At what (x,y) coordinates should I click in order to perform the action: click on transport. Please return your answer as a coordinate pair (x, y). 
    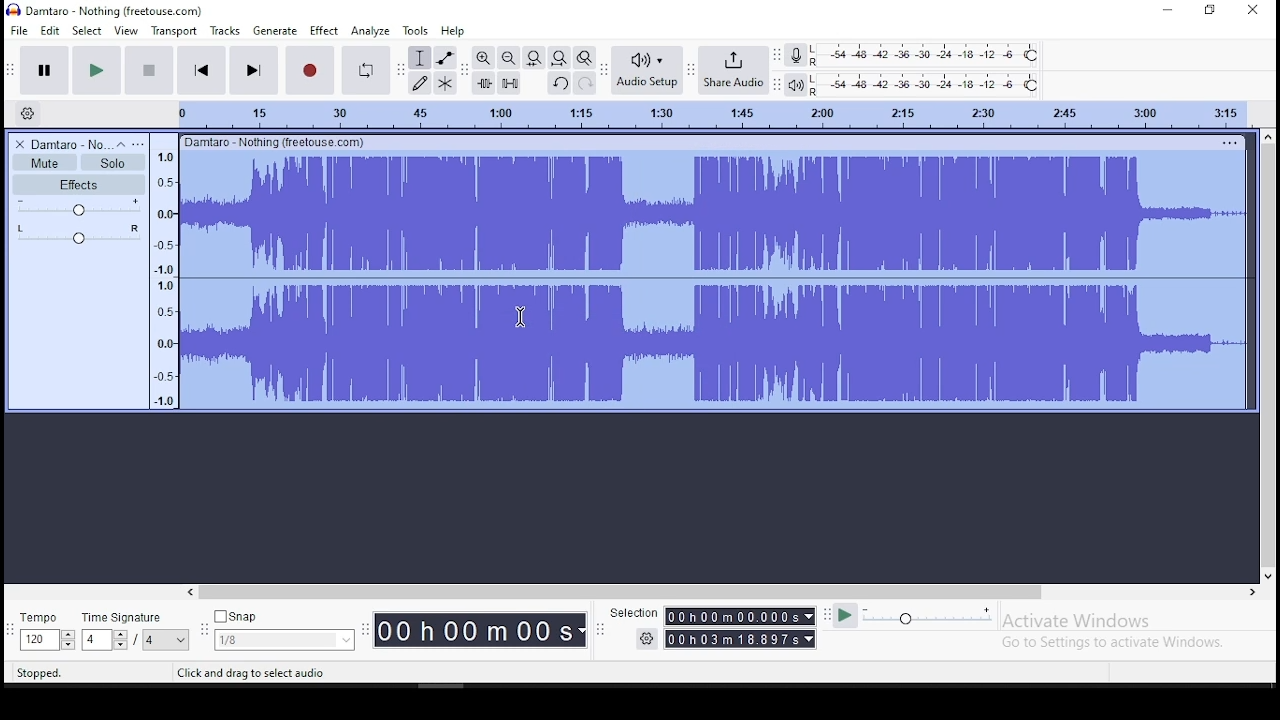
    Looking at the image, I should click on (173, 30).